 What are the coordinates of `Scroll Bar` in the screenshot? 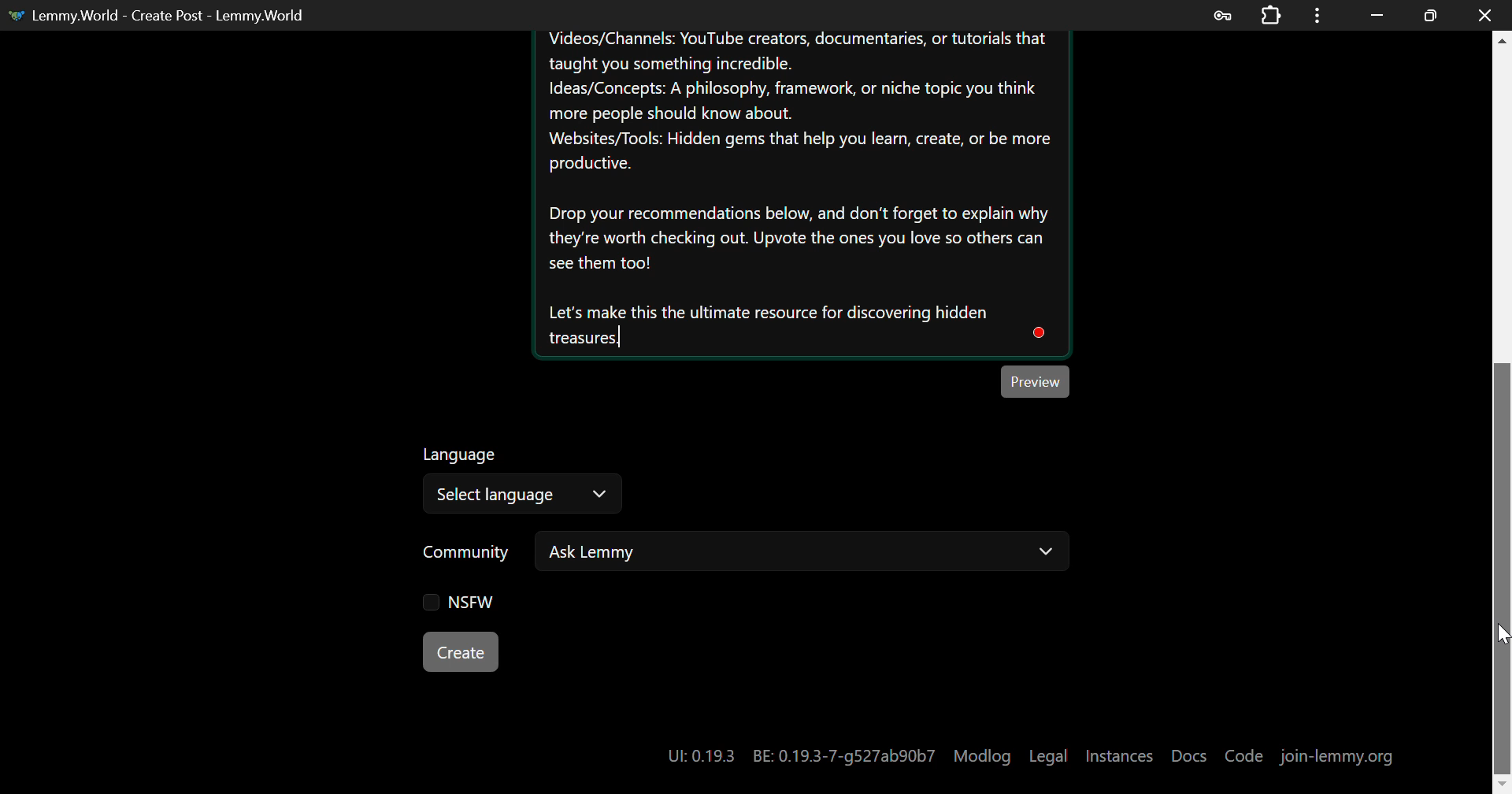 It's located at (1503, 404).